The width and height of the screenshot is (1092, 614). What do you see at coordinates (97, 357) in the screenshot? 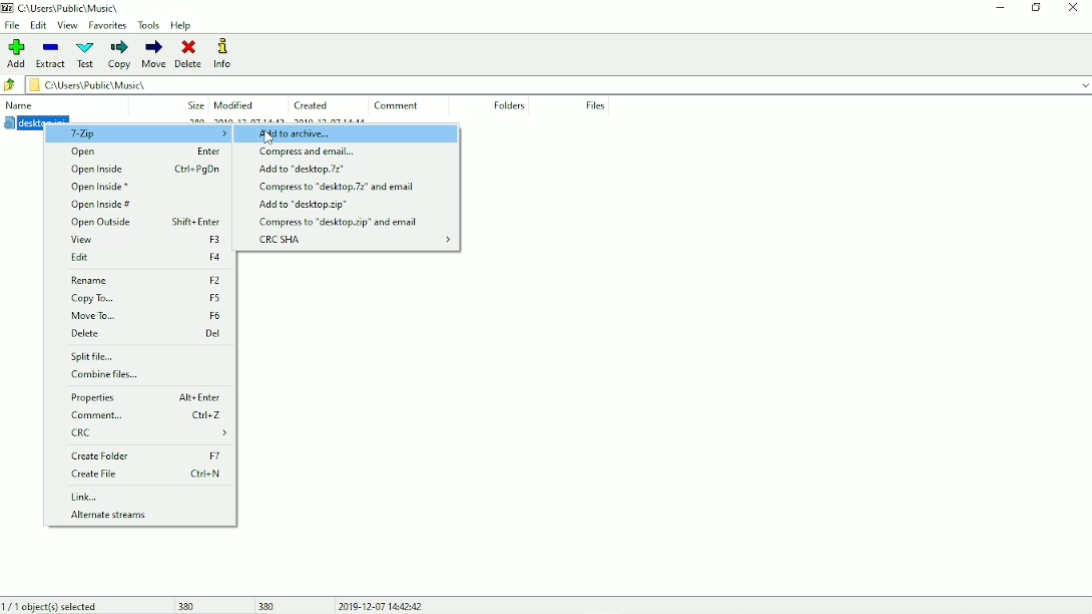
I see `Split file` at bounding box center [97, 357].